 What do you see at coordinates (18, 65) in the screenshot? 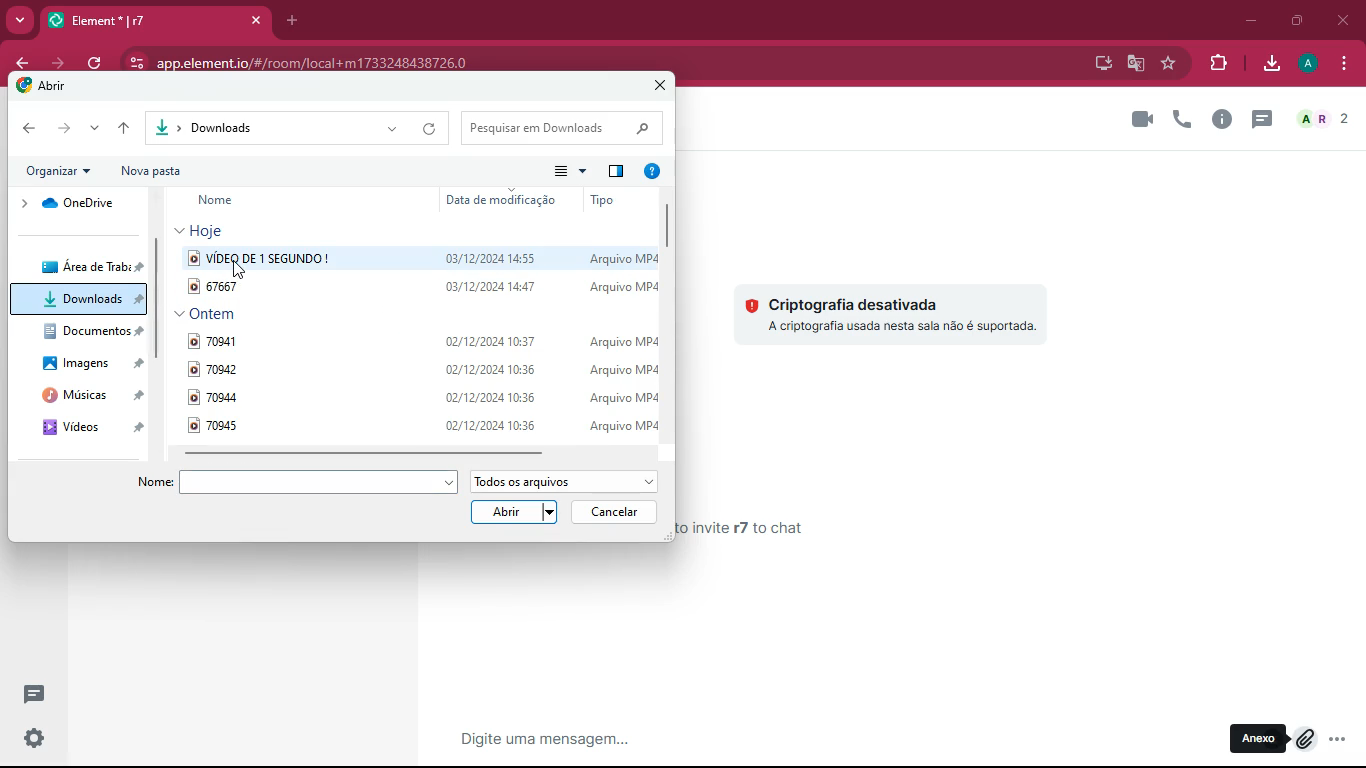
I see `back` at bounding box center [18, 65].